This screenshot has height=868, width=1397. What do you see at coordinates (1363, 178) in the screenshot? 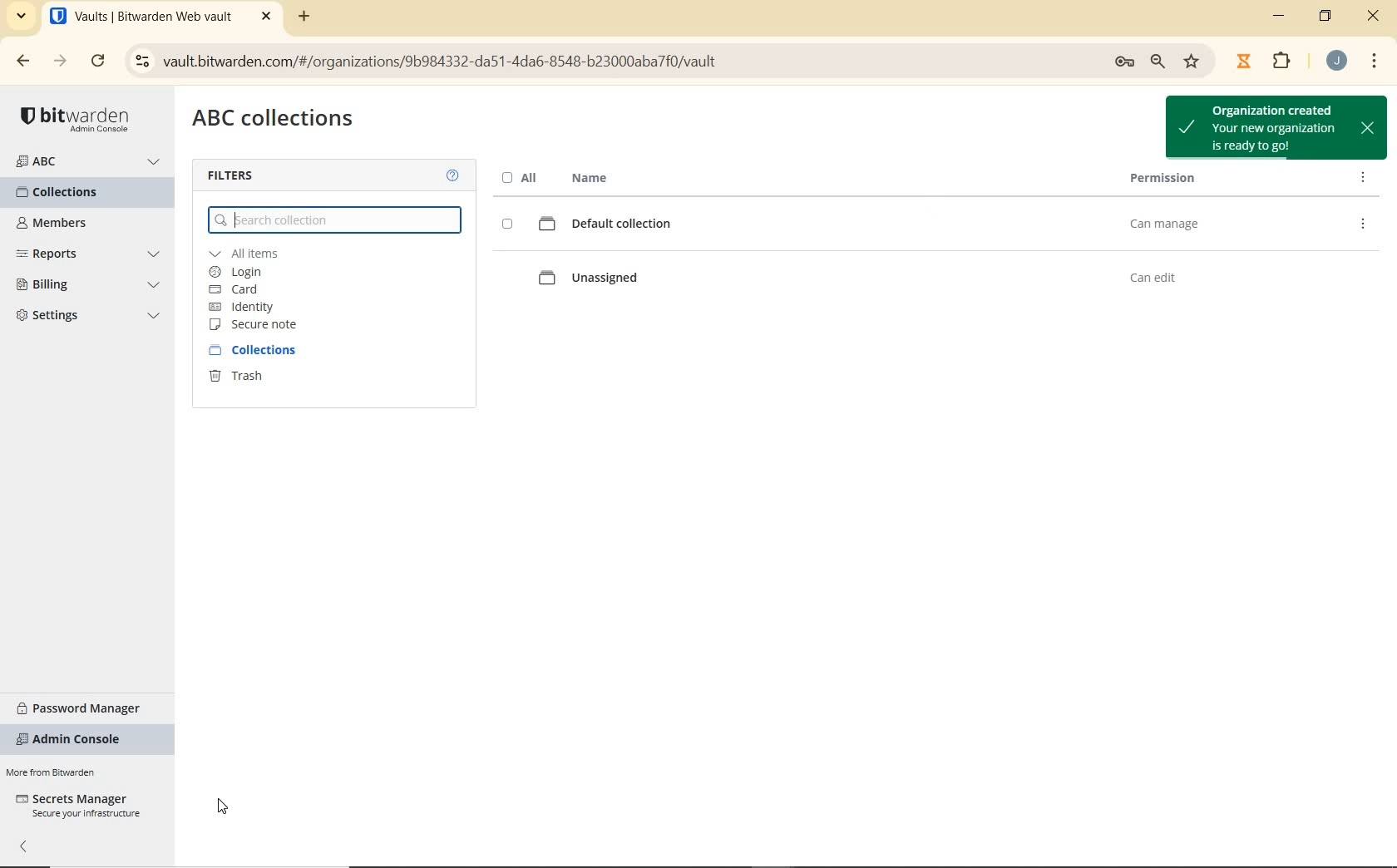
I see `edit access` at bounding box center [1363, 178].